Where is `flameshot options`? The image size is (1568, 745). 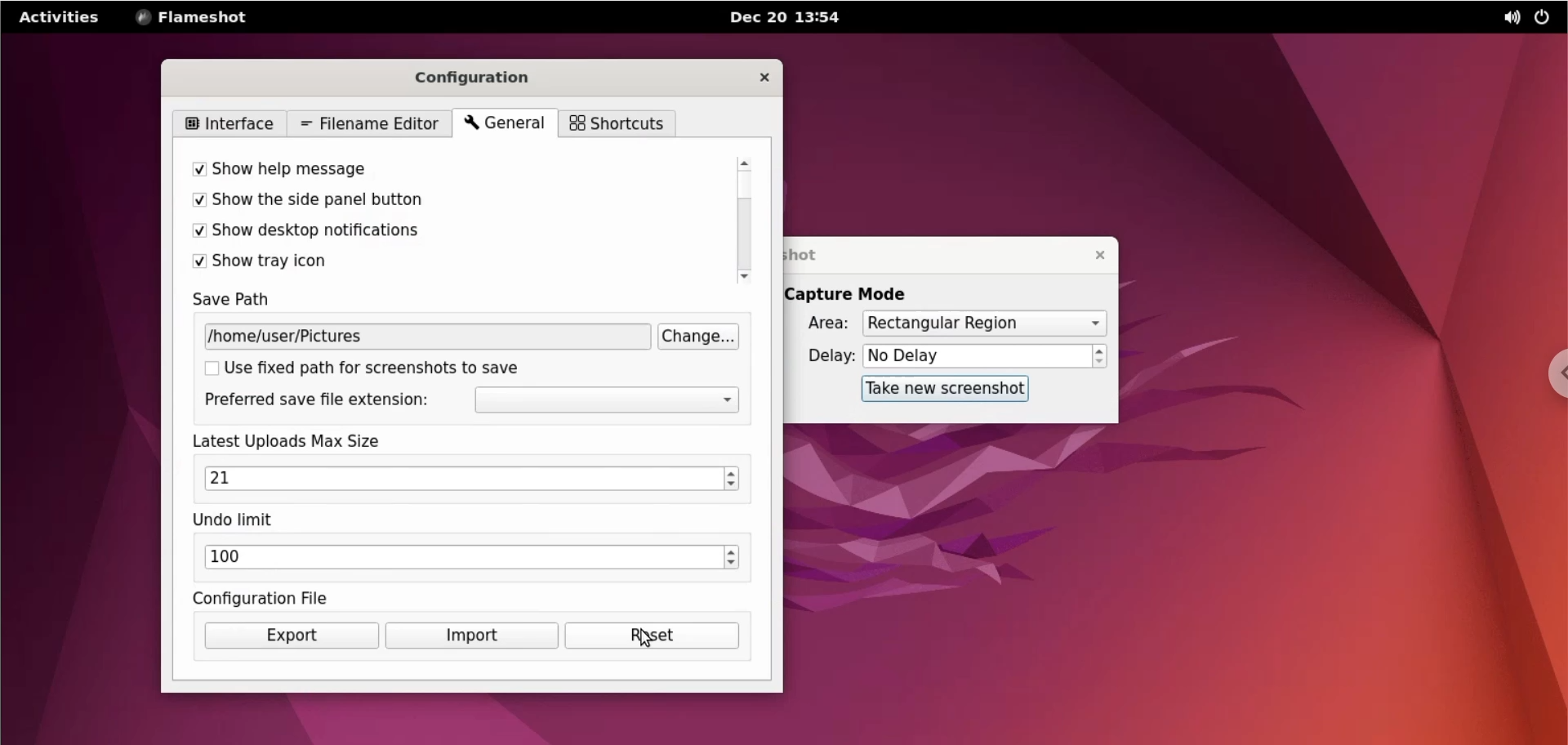
flameshot options is located at coordinates (198, 16).